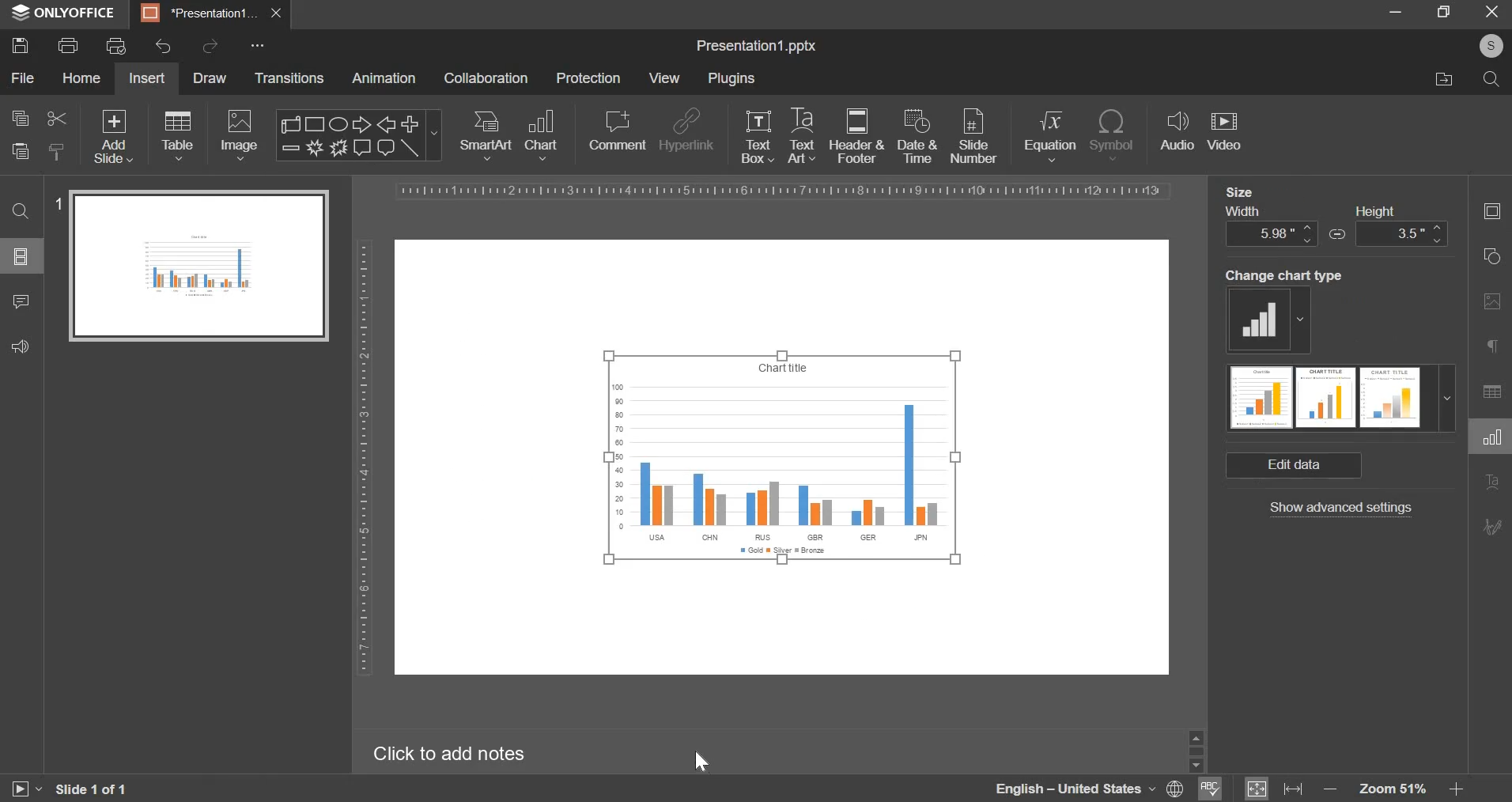 This screenshot has width=1512, height=802. Describe the element at coordinates (704, 762) in the screenshot. I see `Cursor` at that location.